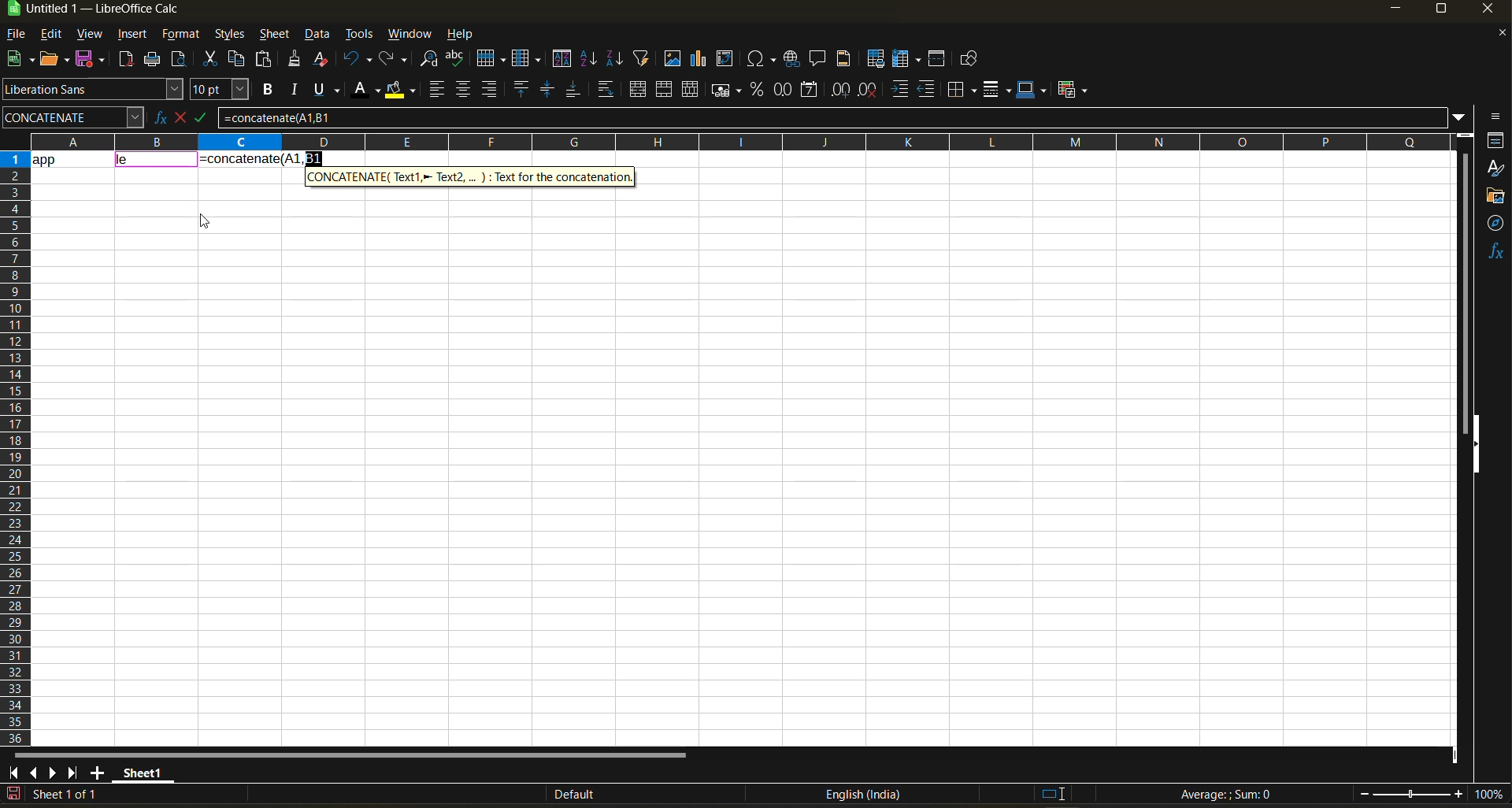  What do you see at coordinates (731, 90) in the screenshot?
I see `format as currency` at bounding box center [731, 90].